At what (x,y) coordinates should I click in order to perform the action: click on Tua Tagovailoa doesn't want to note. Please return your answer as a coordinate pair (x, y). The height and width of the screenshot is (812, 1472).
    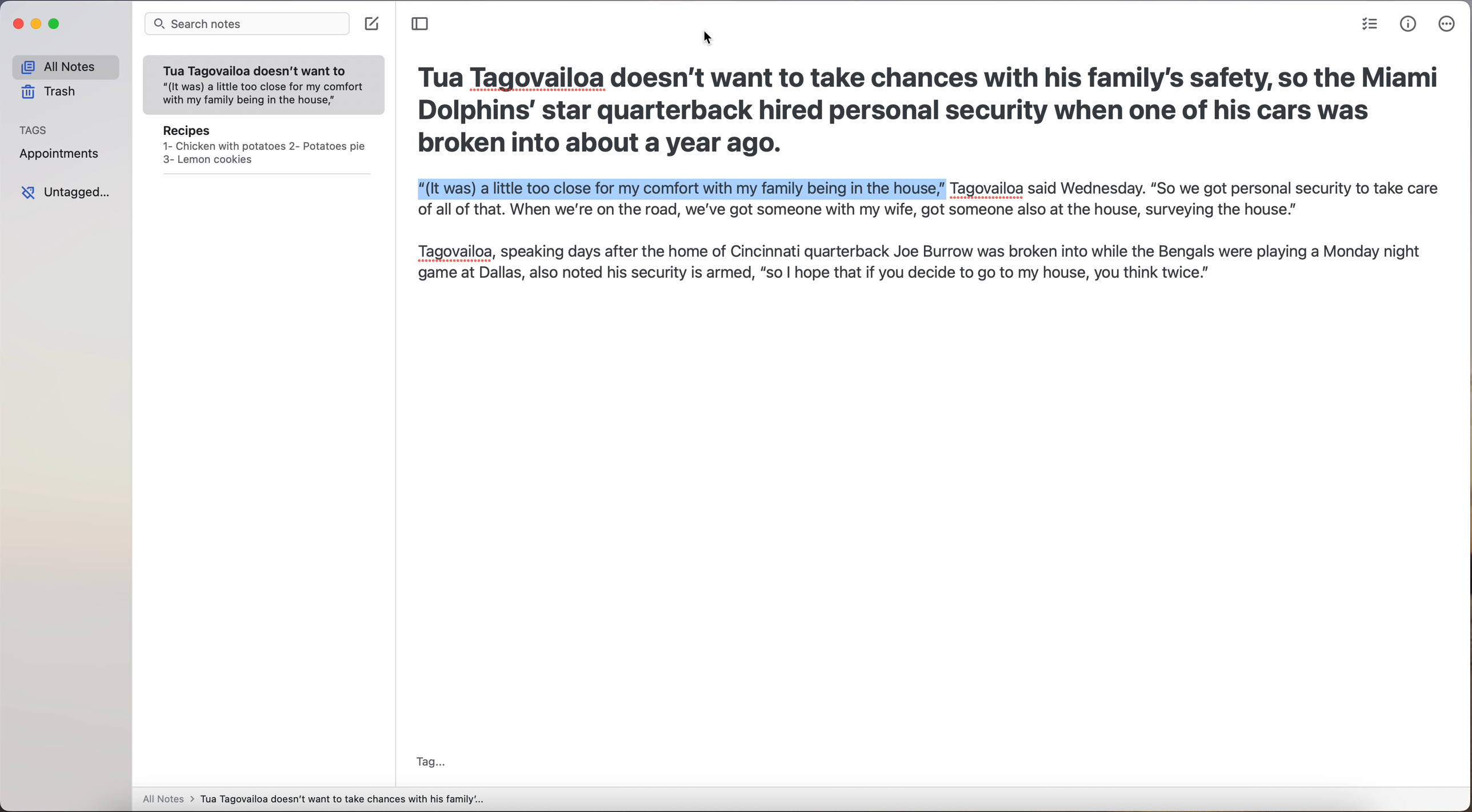
    Looking at the image, I should click on (264, 86).